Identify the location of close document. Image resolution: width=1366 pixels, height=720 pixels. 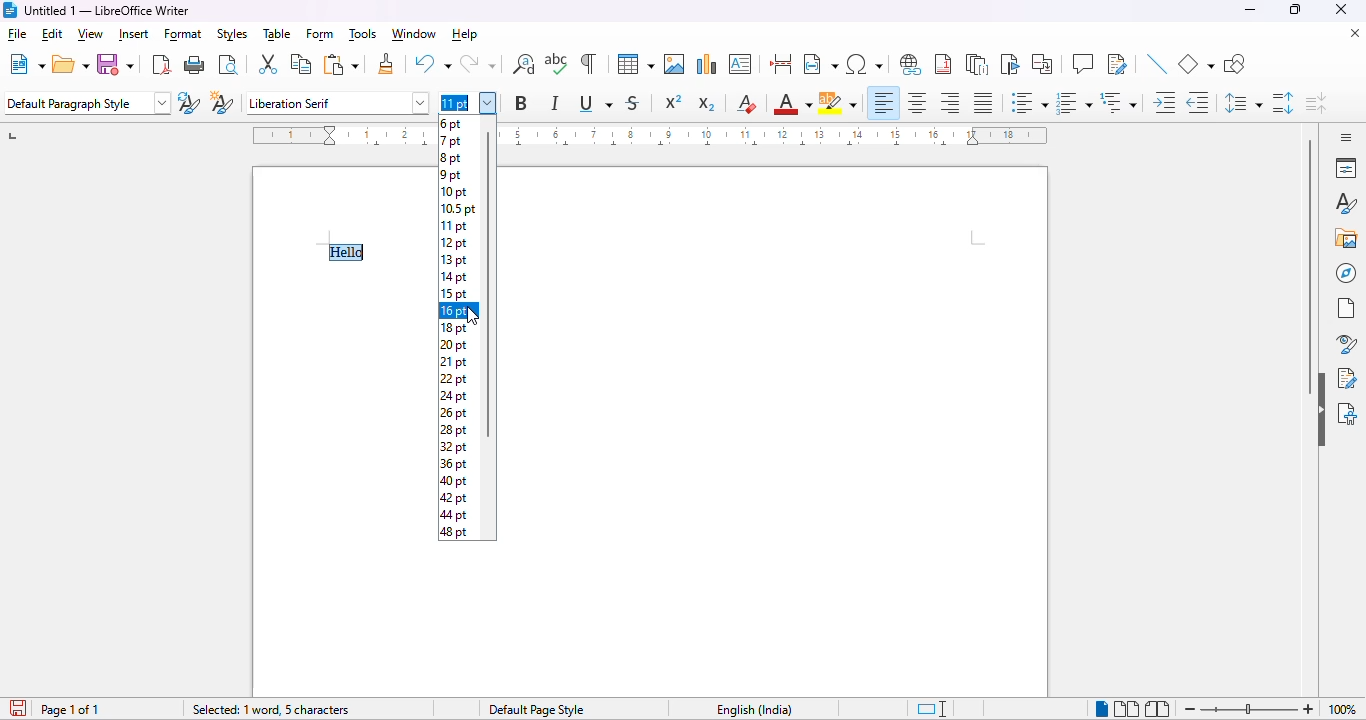
(1355, 33).